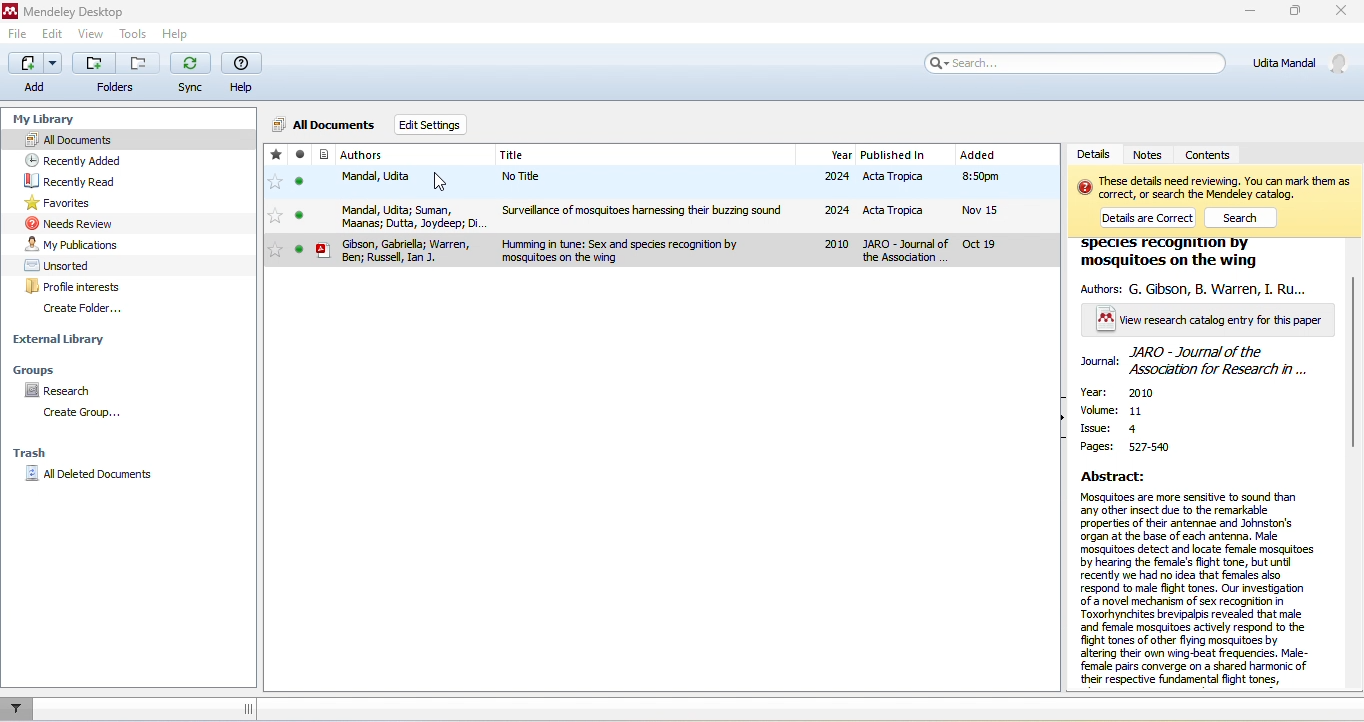 This screenshot has height=722, width=1364. Describe the element at coordinates (908, 181) in the screenshot. I see `acta tropica` at that location.